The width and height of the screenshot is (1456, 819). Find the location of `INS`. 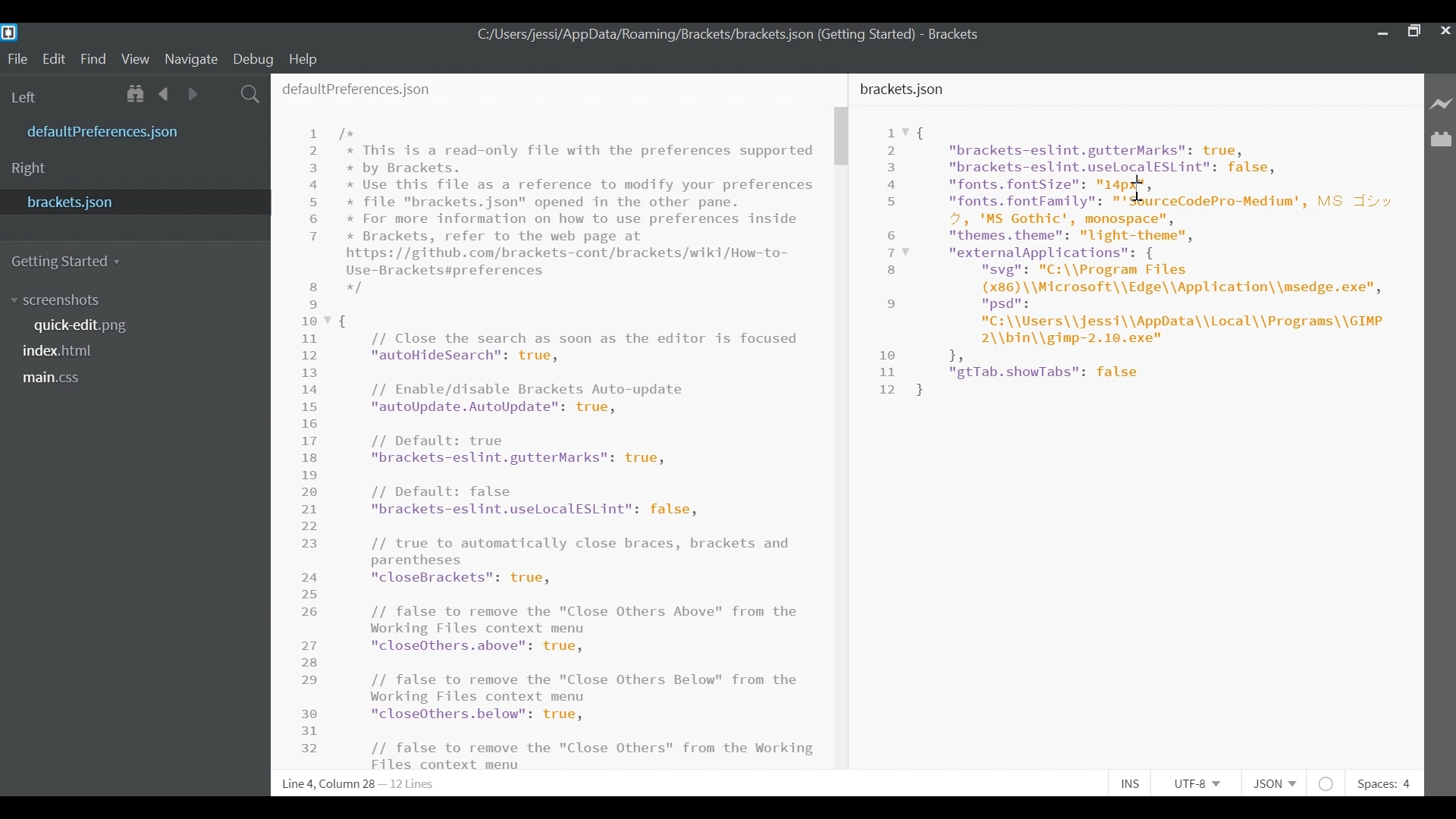

INS is located at coordinates (1131, 781).